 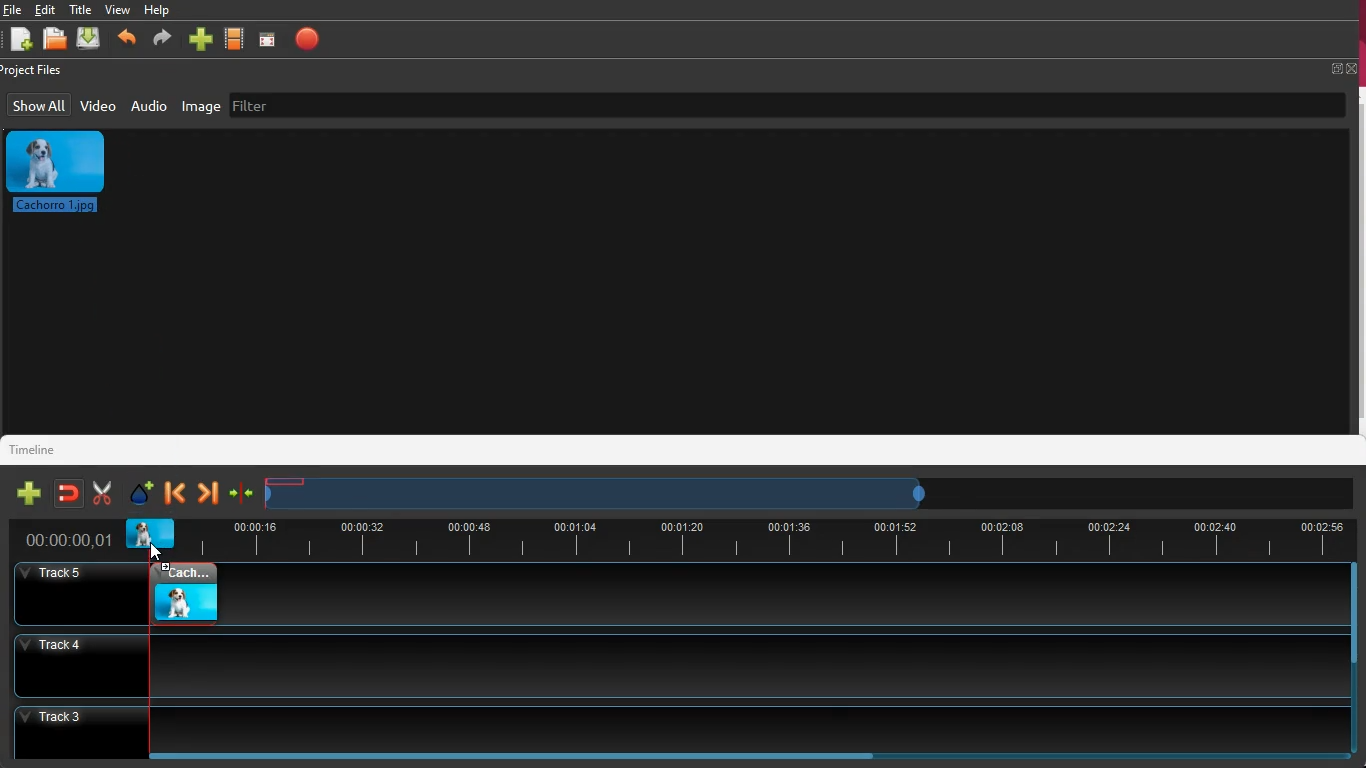 What do you see at coordinates (11, 11) in the screenshot?
I see `file` at bounding box center [11, 11].